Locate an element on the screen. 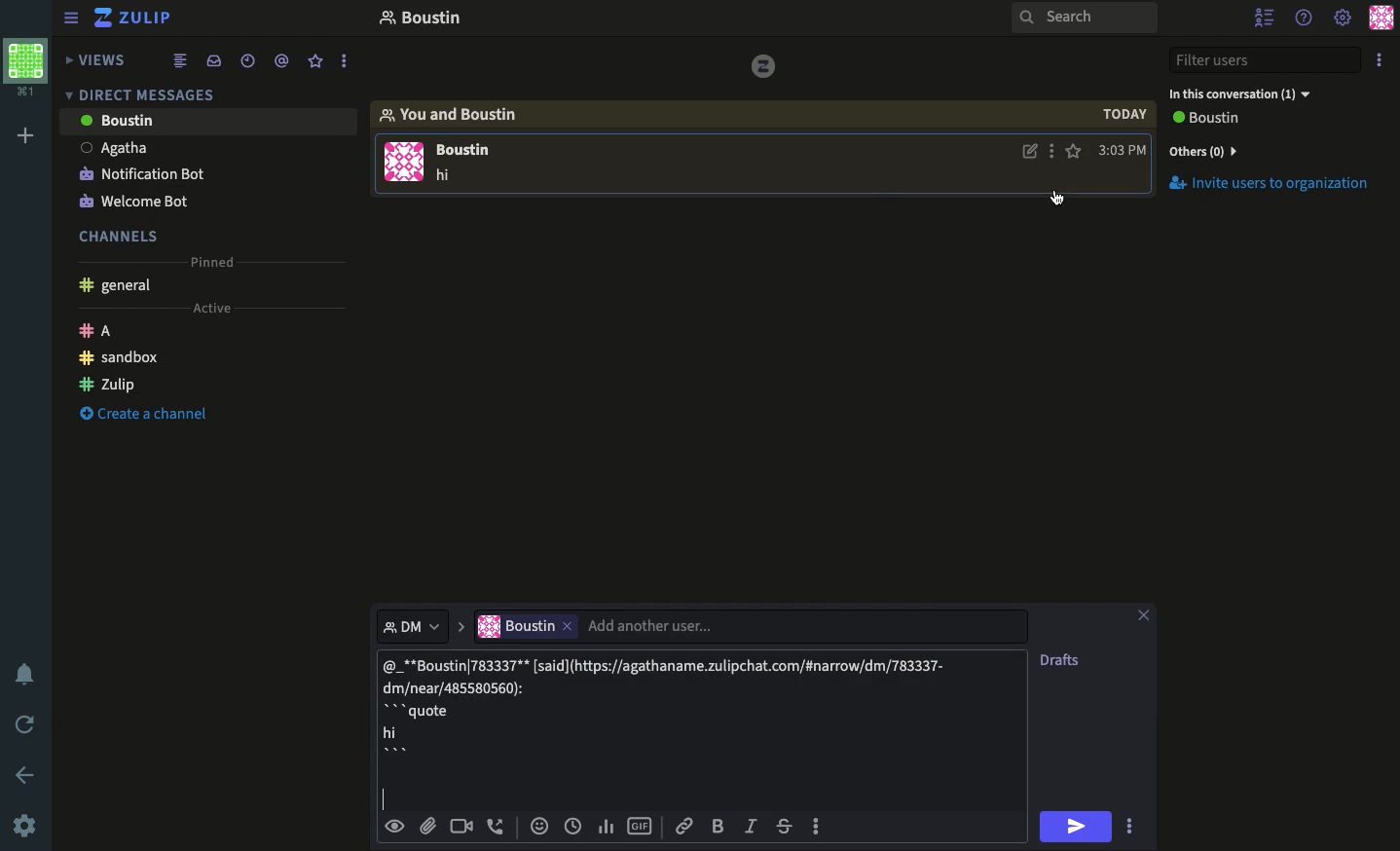  Zulip is located at coordinates (109, 383).